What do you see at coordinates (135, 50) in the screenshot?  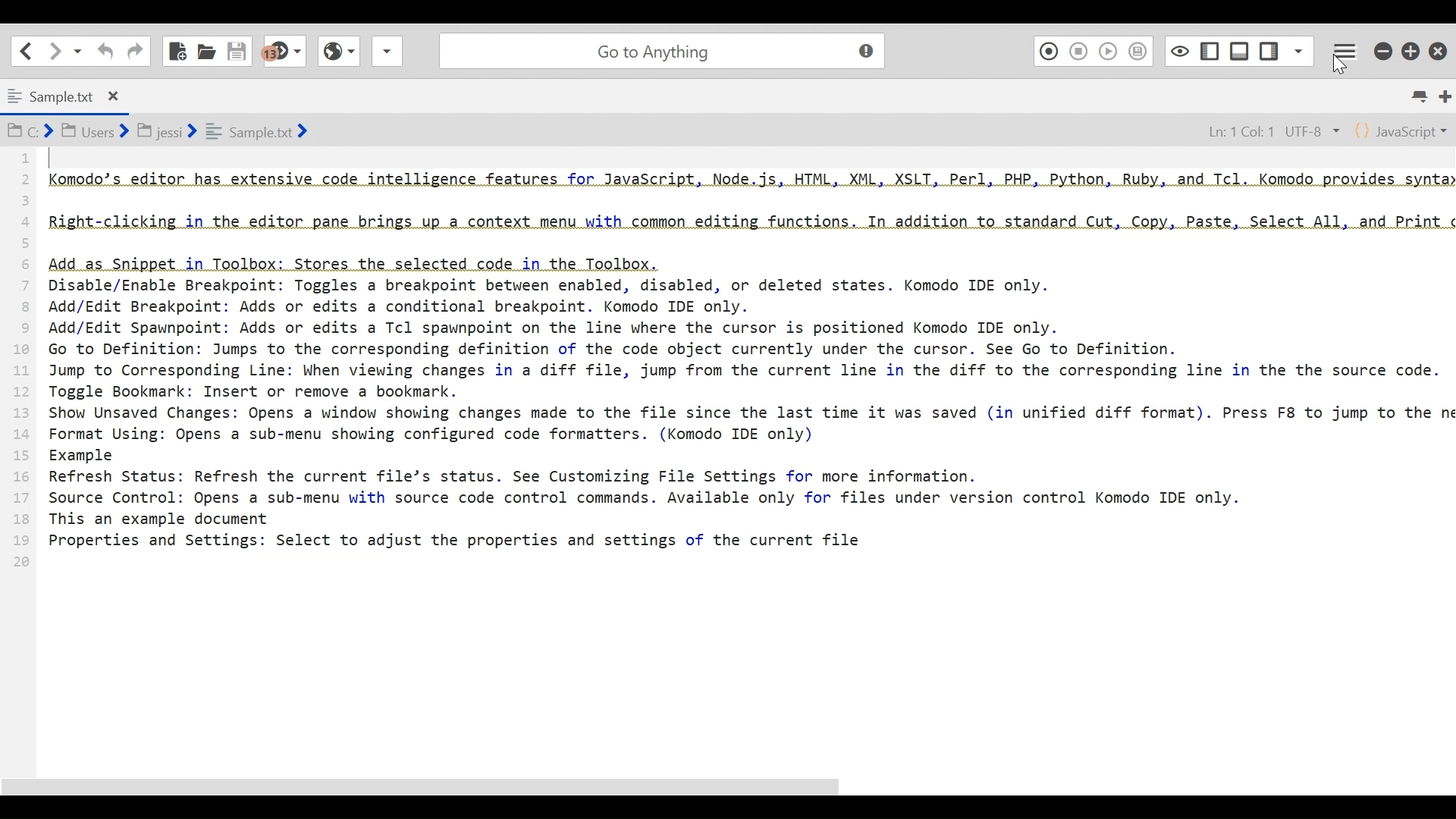 I see `Redo` at bounding box center [135, 50].